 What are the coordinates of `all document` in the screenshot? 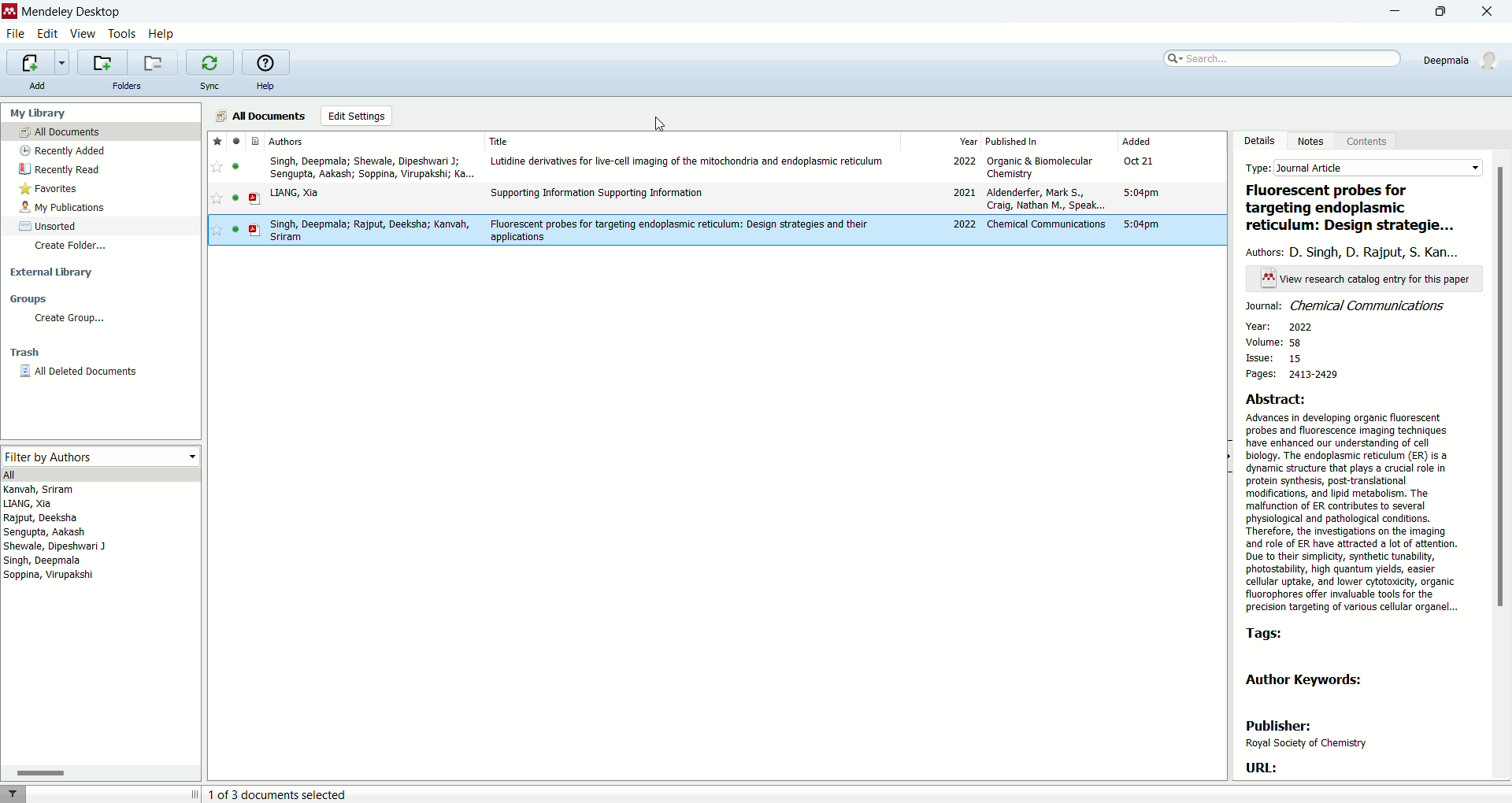 It's located at (102, 131).